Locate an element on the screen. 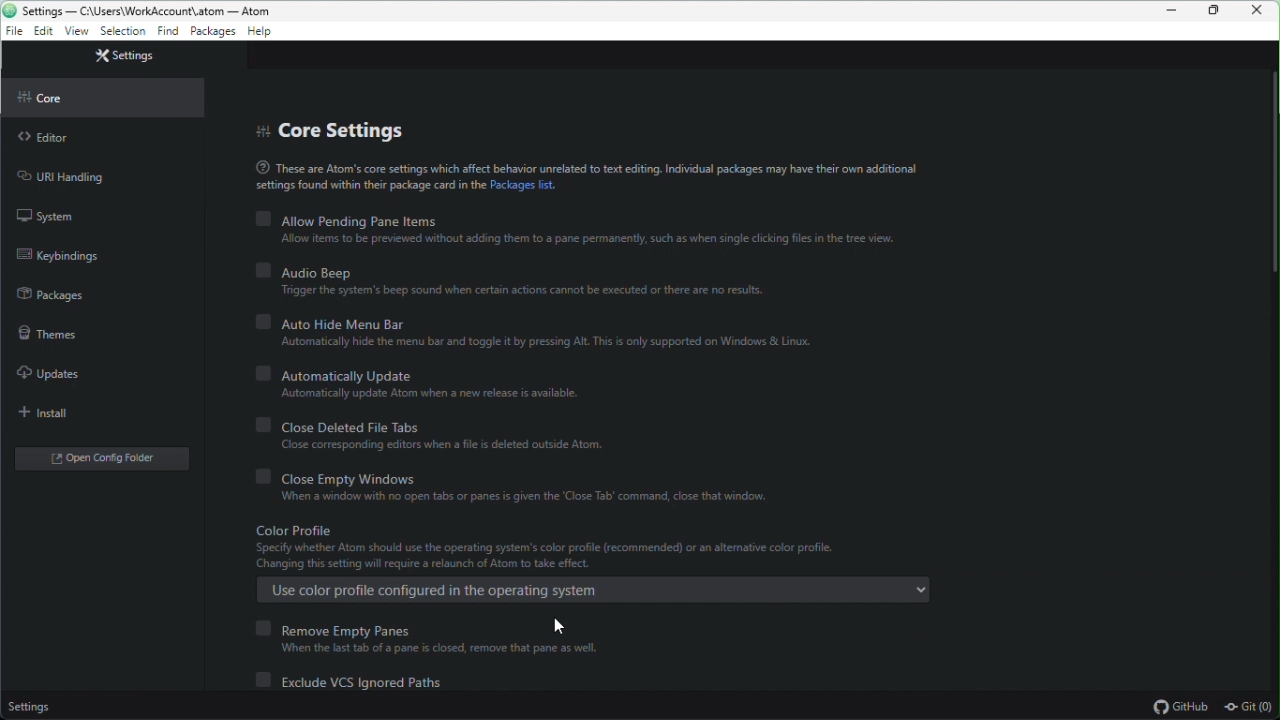 This screenshot has height=720, width=1280. Open folder is located at coordinates (97, 460).